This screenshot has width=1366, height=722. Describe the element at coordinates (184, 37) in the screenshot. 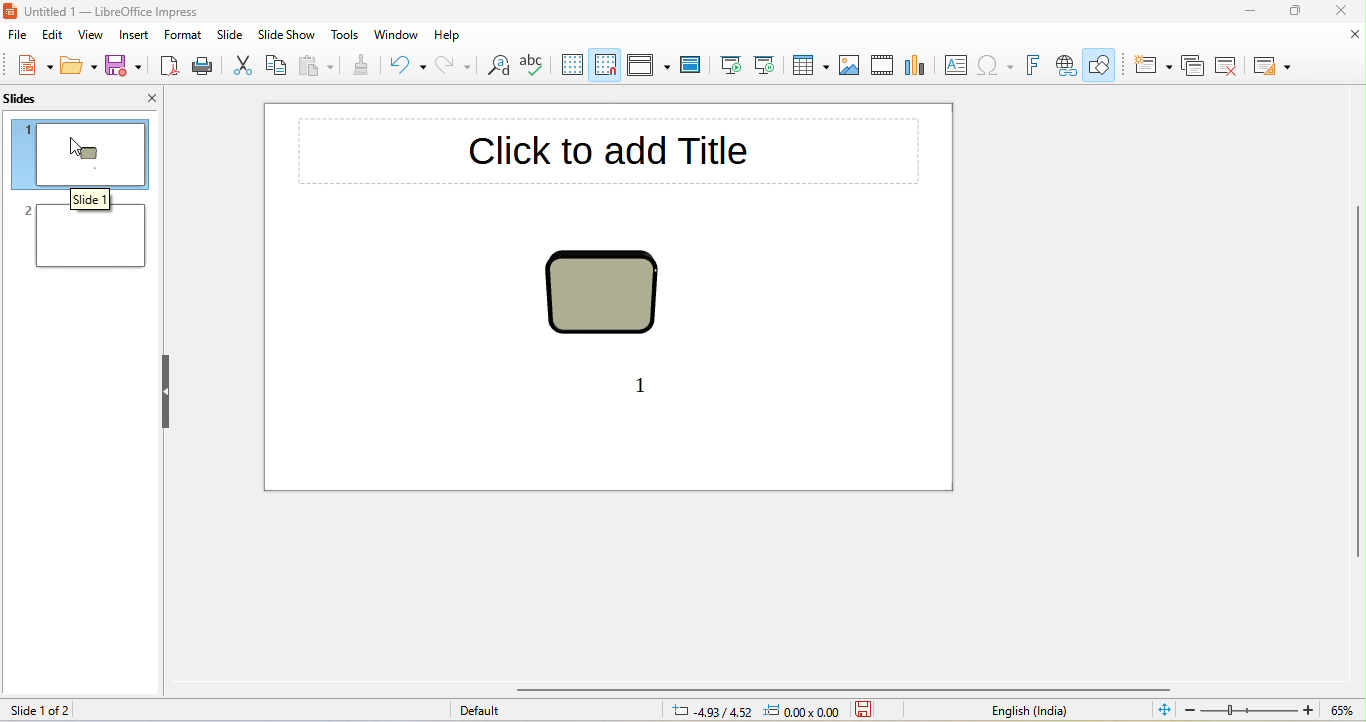

I see `format` at that location.